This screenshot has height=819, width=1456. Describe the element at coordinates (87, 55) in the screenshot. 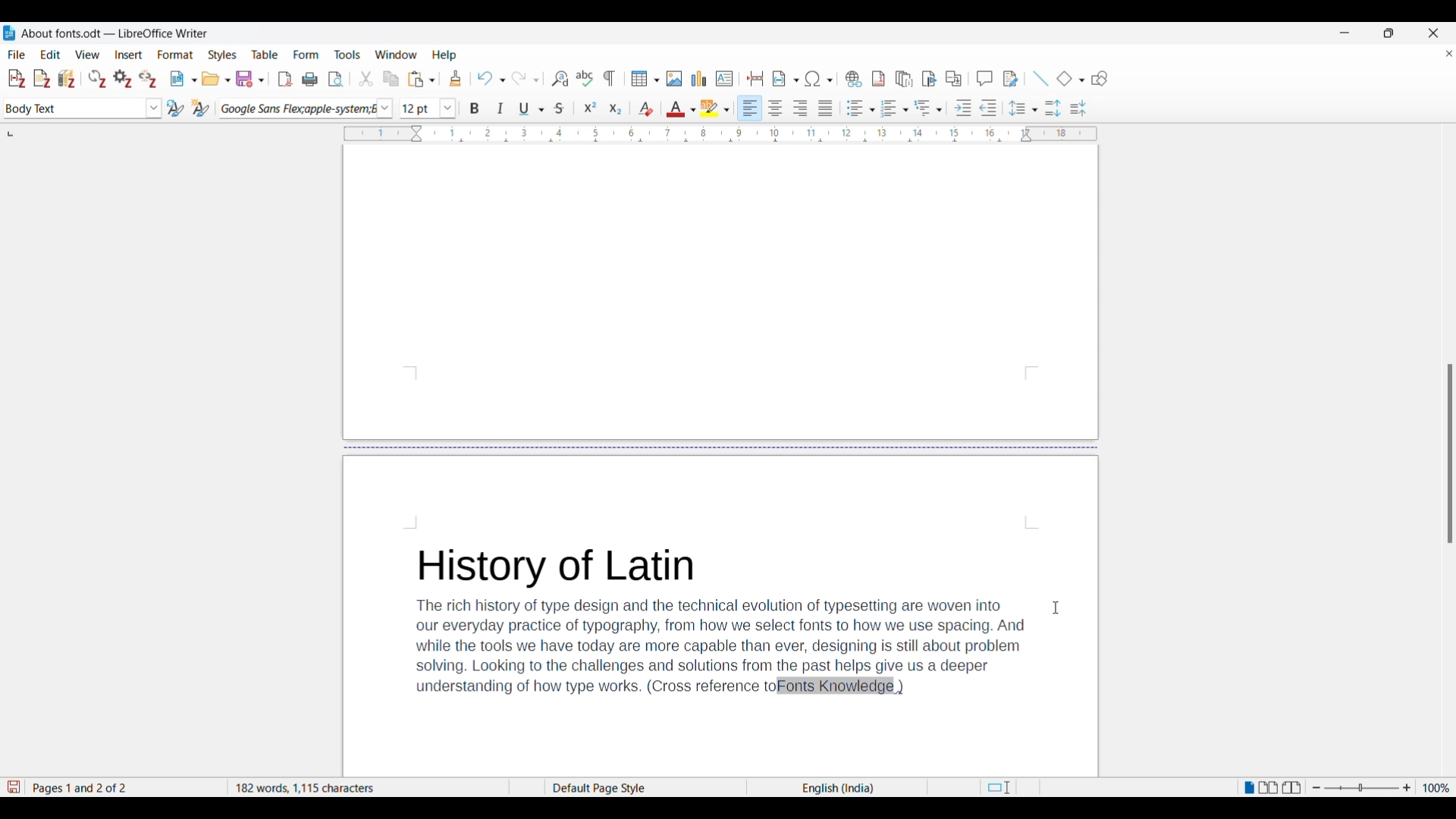

I see `View menu` at that location.